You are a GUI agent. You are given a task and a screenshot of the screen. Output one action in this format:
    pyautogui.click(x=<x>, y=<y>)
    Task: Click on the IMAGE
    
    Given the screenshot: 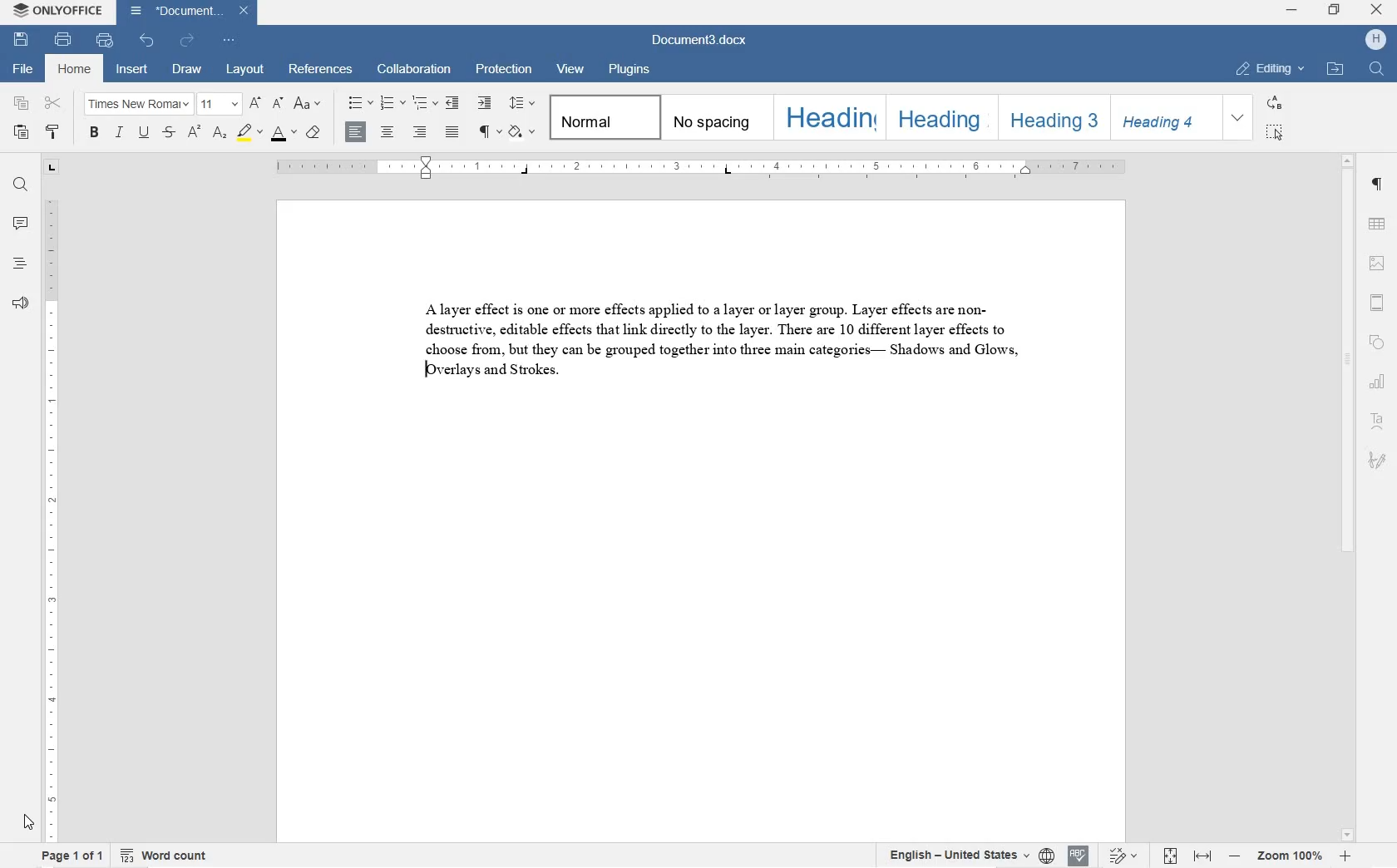 What is the action you would take?
    pyautogui.click(x=1379, y=264)
    